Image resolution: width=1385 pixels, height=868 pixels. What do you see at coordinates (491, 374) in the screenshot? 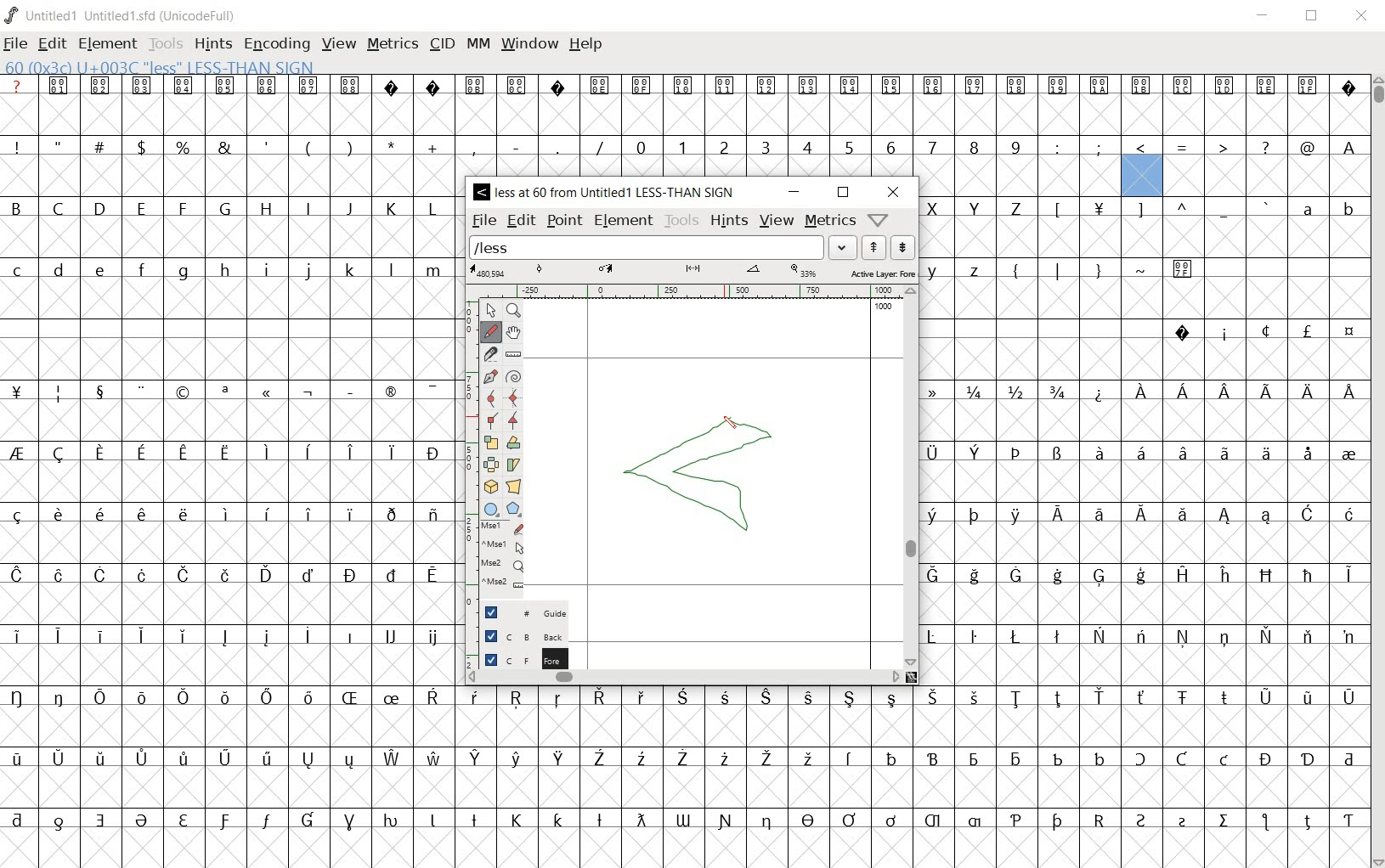
I see `add a point, then drag out its control points` at bounding box center [491, 374].